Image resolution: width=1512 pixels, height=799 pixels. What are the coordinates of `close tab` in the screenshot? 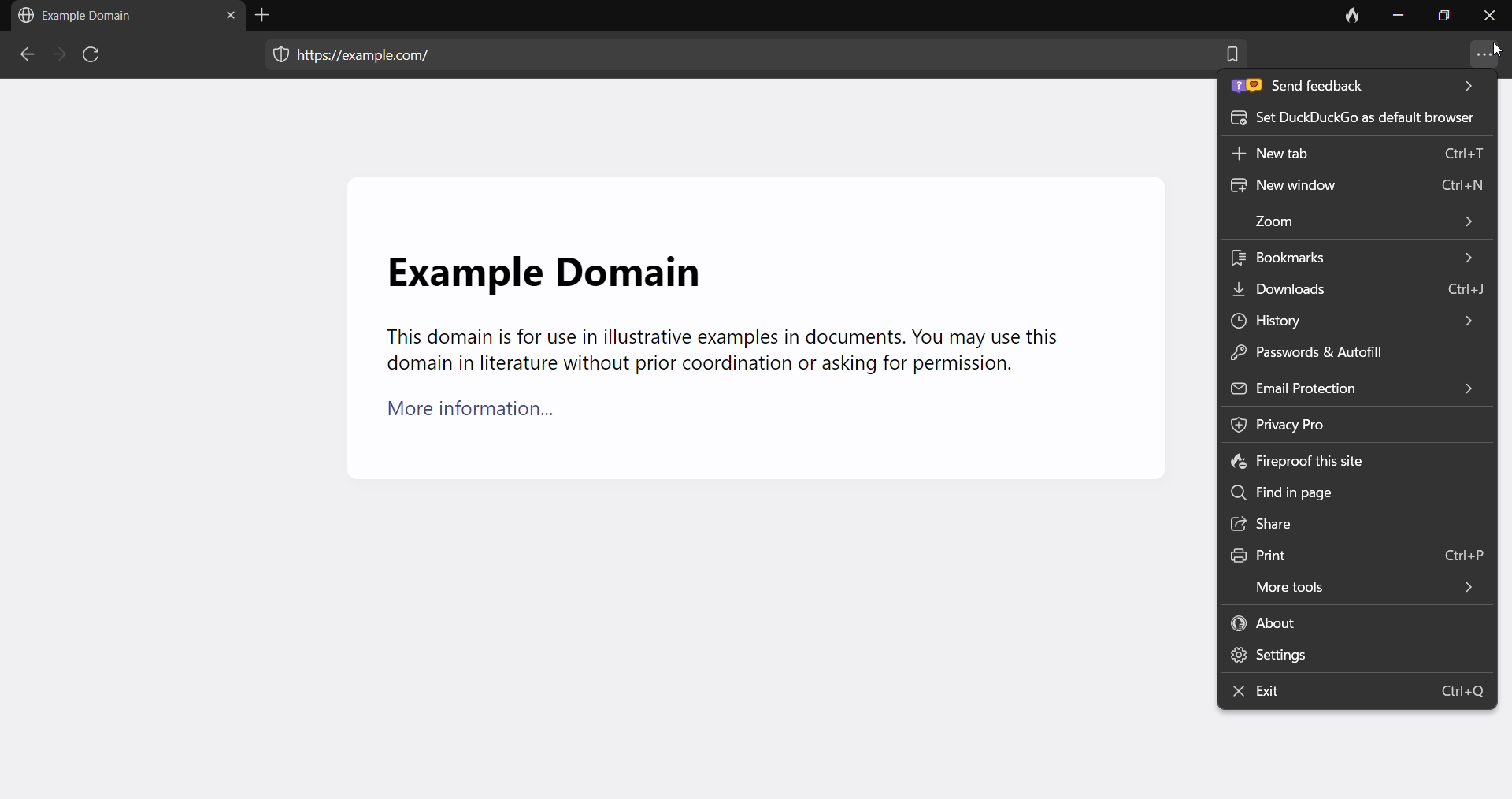 It's located at (226, 18).